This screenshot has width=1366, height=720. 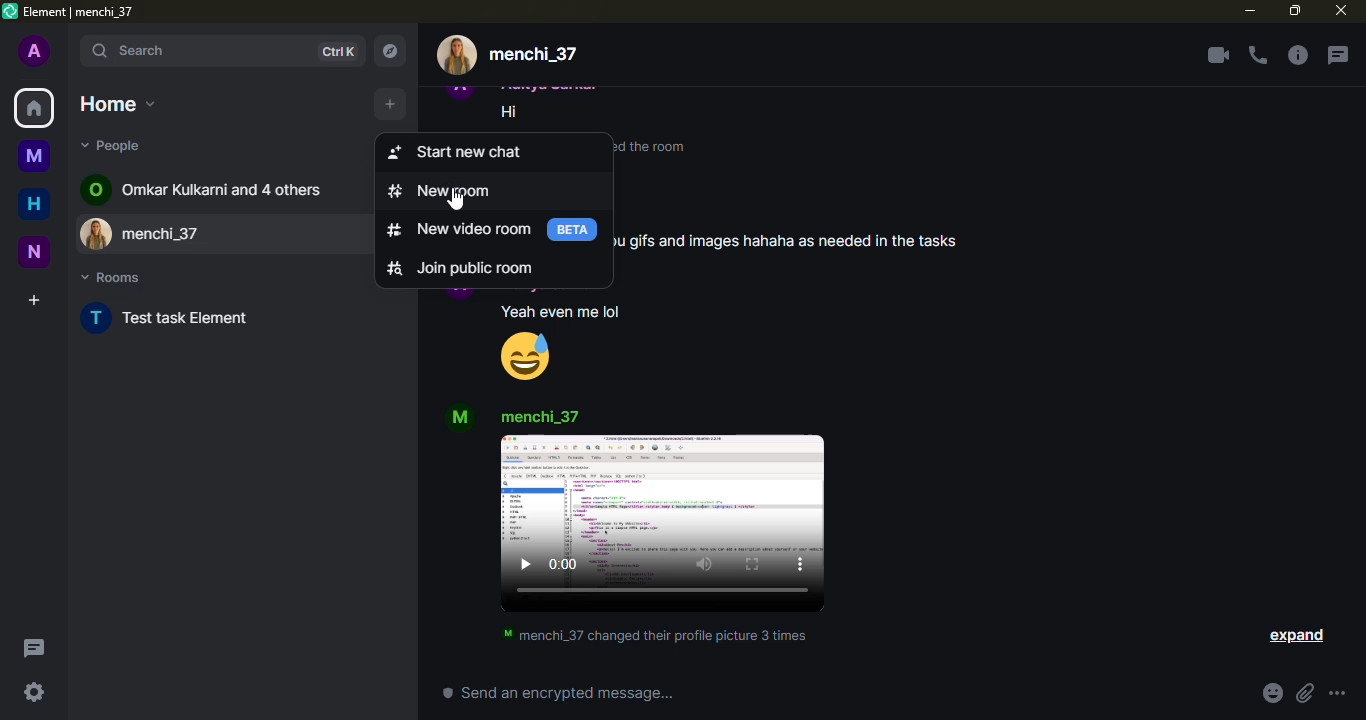 What do you see at coordinates (112, 277) in the screenshot?
I see `rooms` at bounding box center [112, 277].